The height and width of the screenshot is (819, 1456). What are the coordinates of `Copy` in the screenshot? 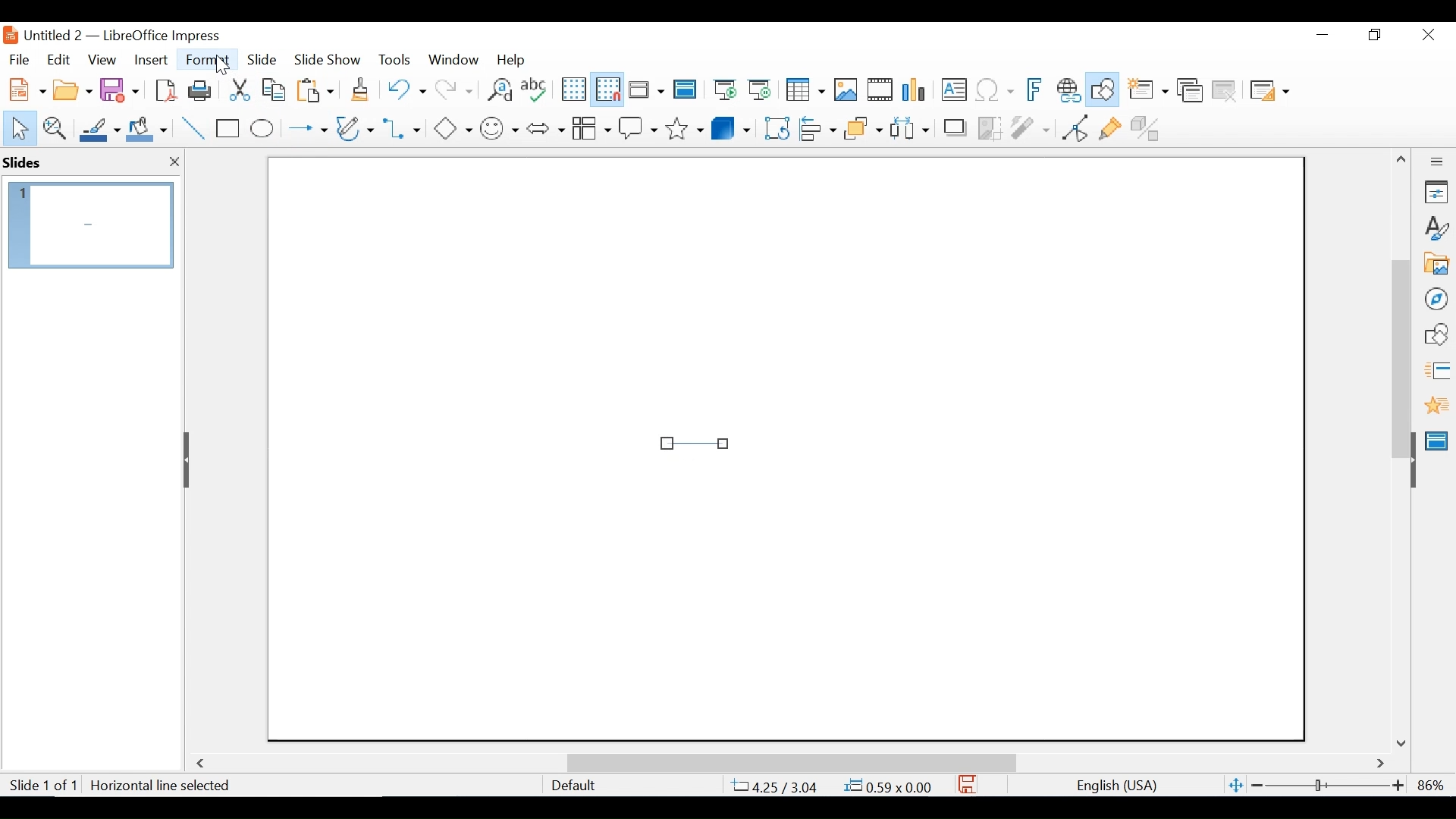 It's located at (275, 89).